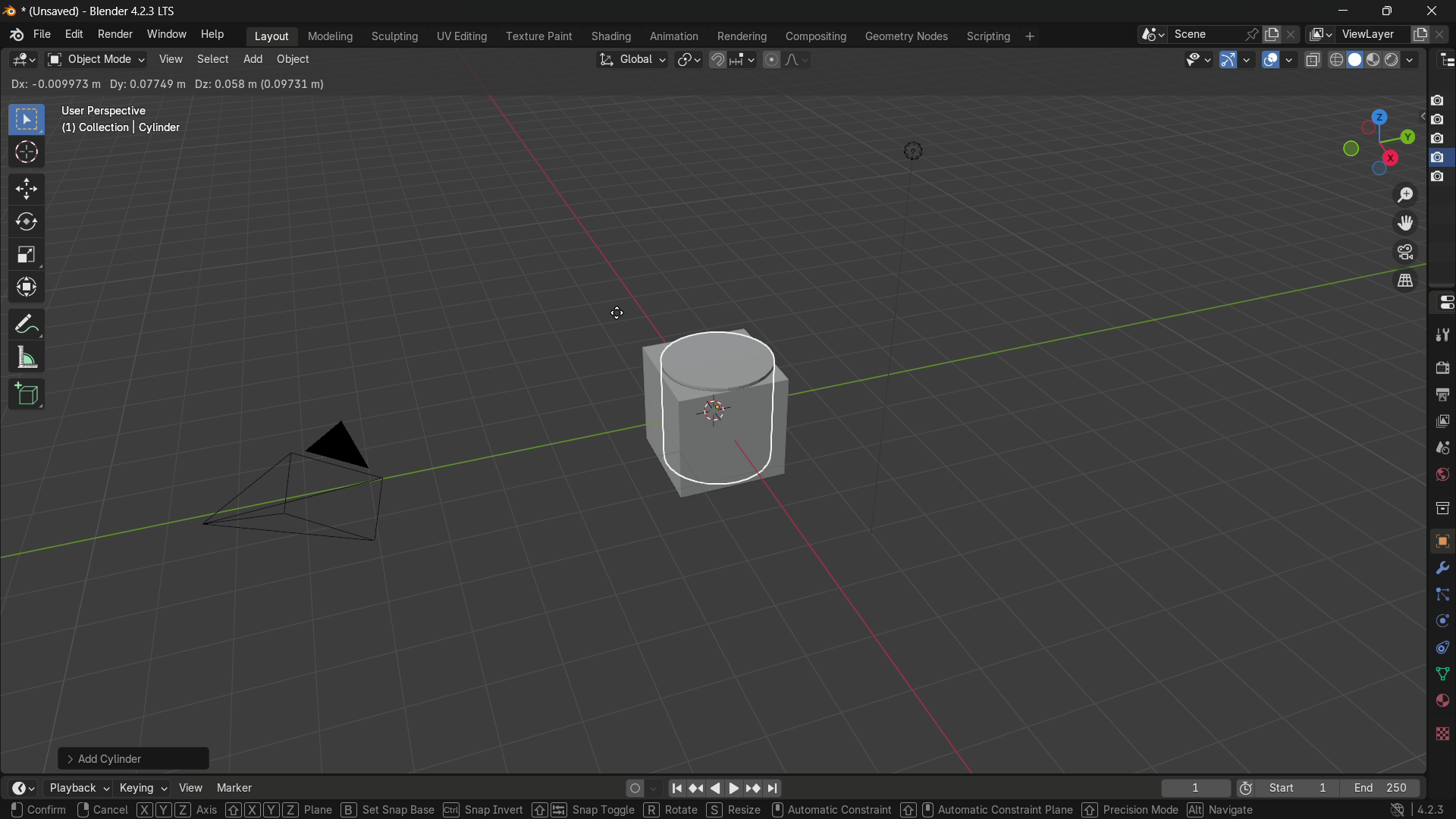 The height and width of the screenshot is (819, 1456). I want to click on capture, so click(1442, 99).